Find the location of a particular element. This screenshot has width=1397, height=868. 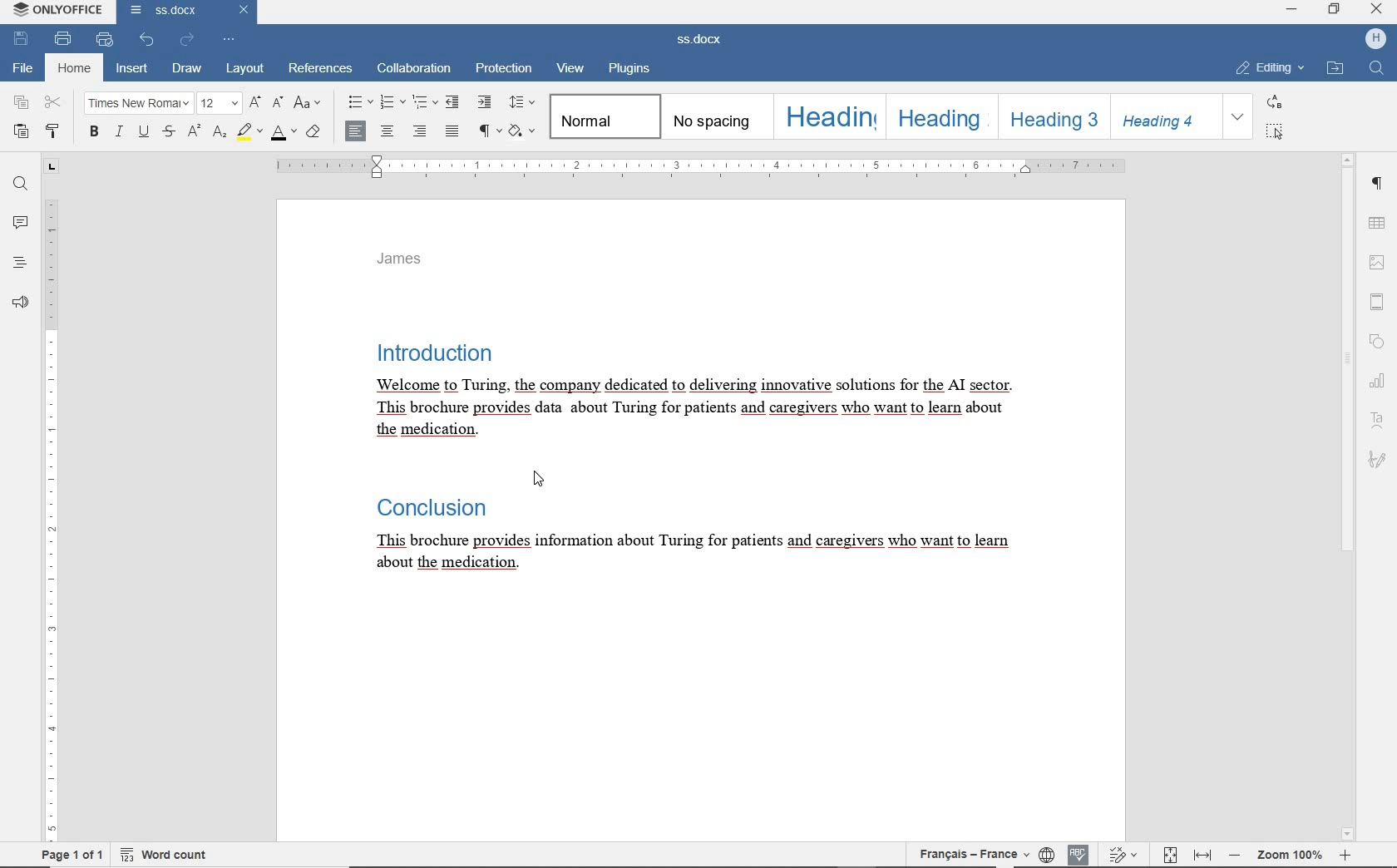

SYSTEM NAME is located at coordinates (59, 13).